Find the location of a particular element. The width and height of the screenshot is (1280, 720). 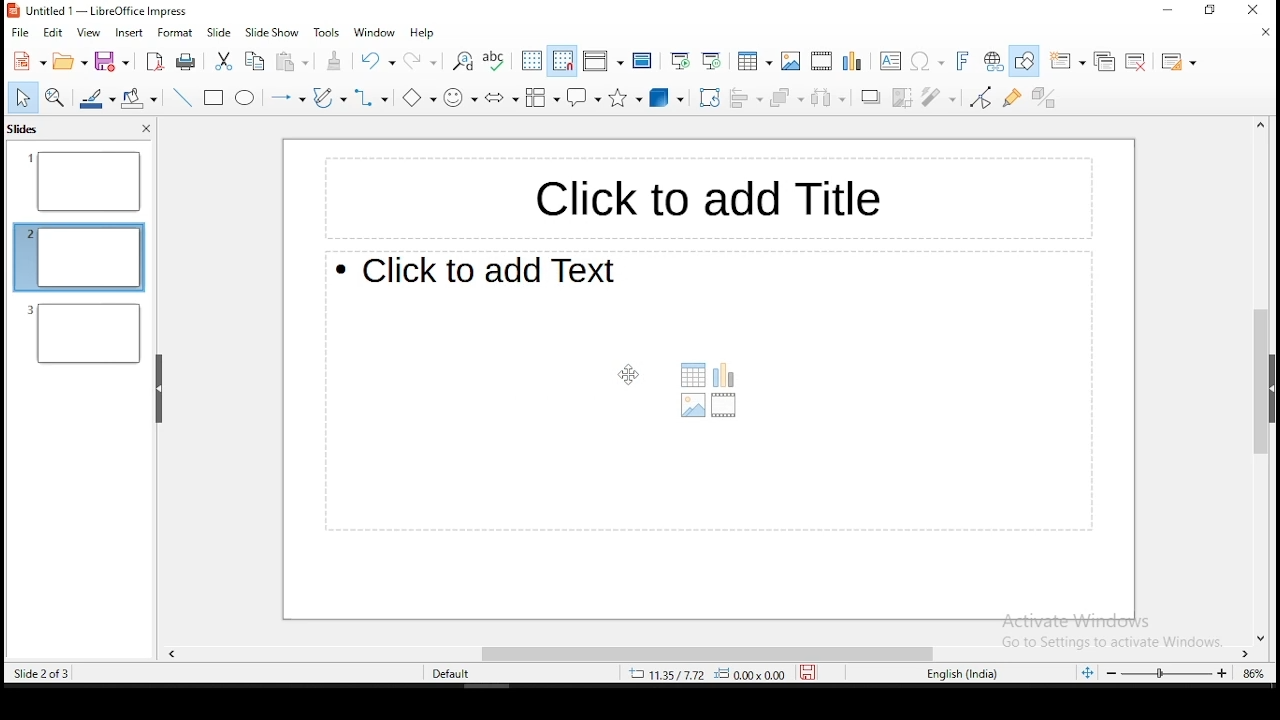

filter is located at coordinates (934, 94).